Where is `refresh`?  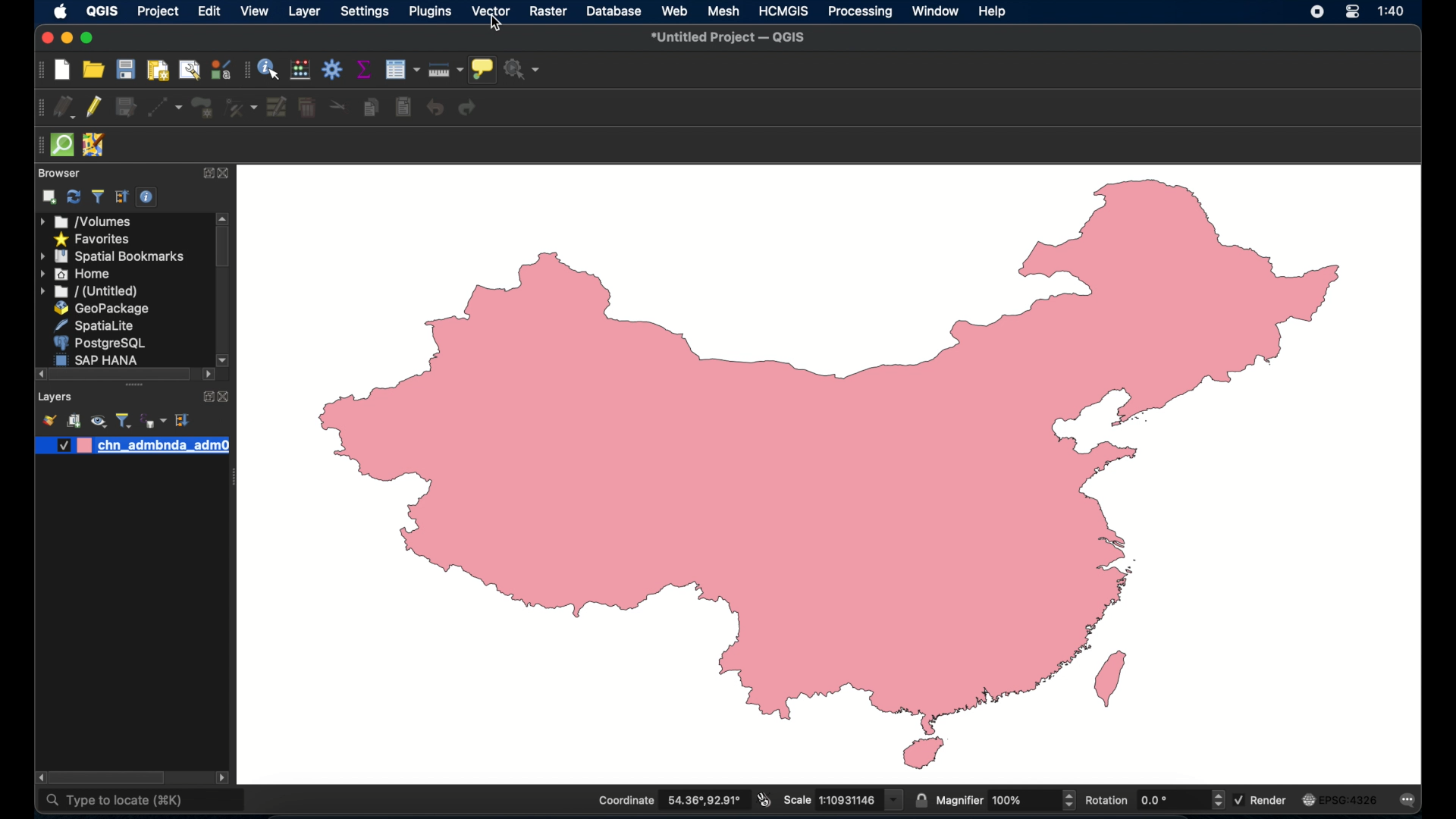
refresh is located at coordinates (74, 196).